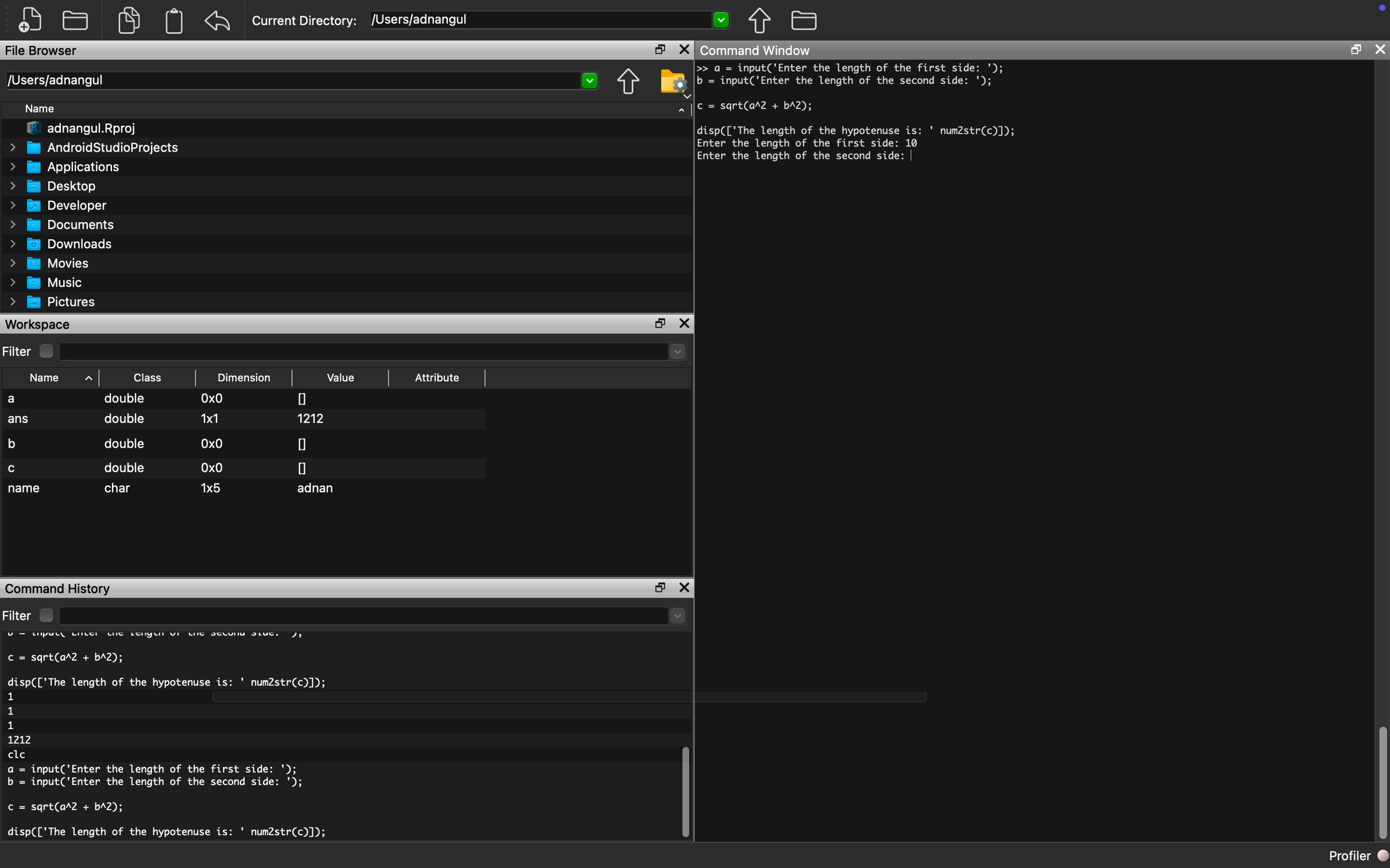 This screenshot has height=868, width=1390. What do you see at coordinates (218, 21) in the screenshot?
I see `undo` at bounding box center [218, 21].